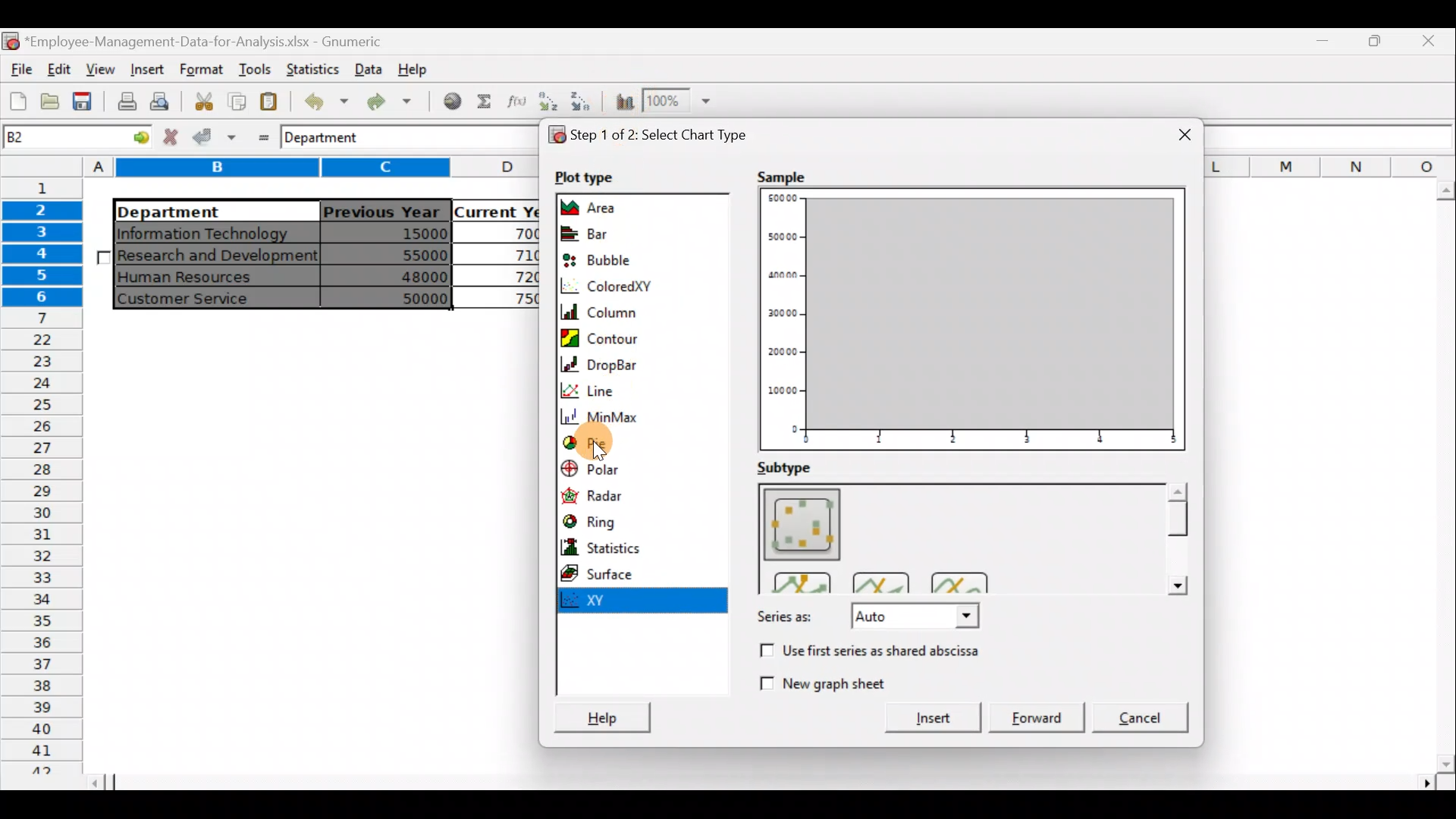 Image resolution: width=1456 pixels, height=819 pixels. I want to click on Edit a function in the current cell, so click(516, 101).